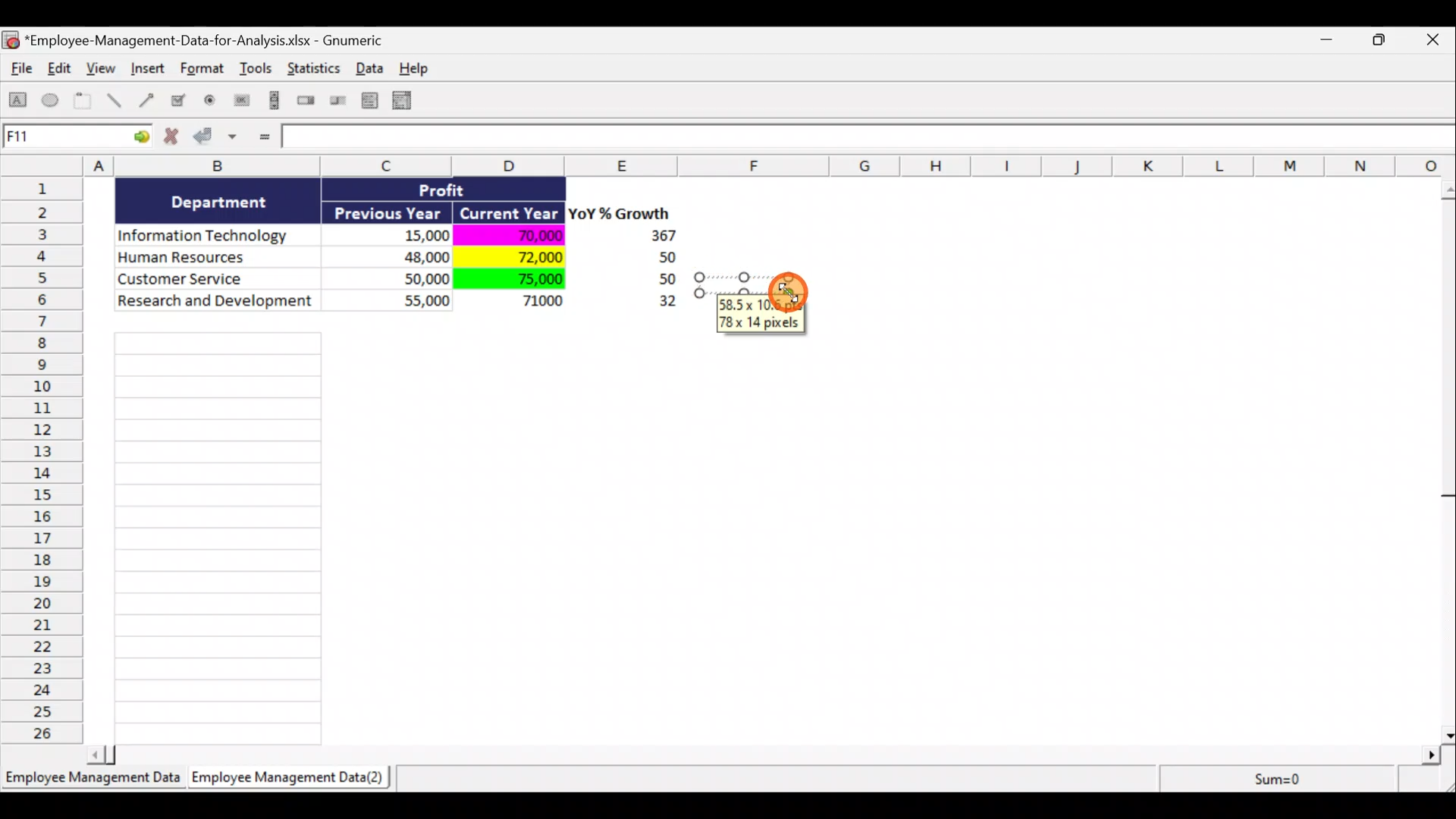 Image resolution: width=1456 pixels, height=819 pixels. Describe the element at coordinates (201, 42) in the screenshot. I see `Document name` at that location.